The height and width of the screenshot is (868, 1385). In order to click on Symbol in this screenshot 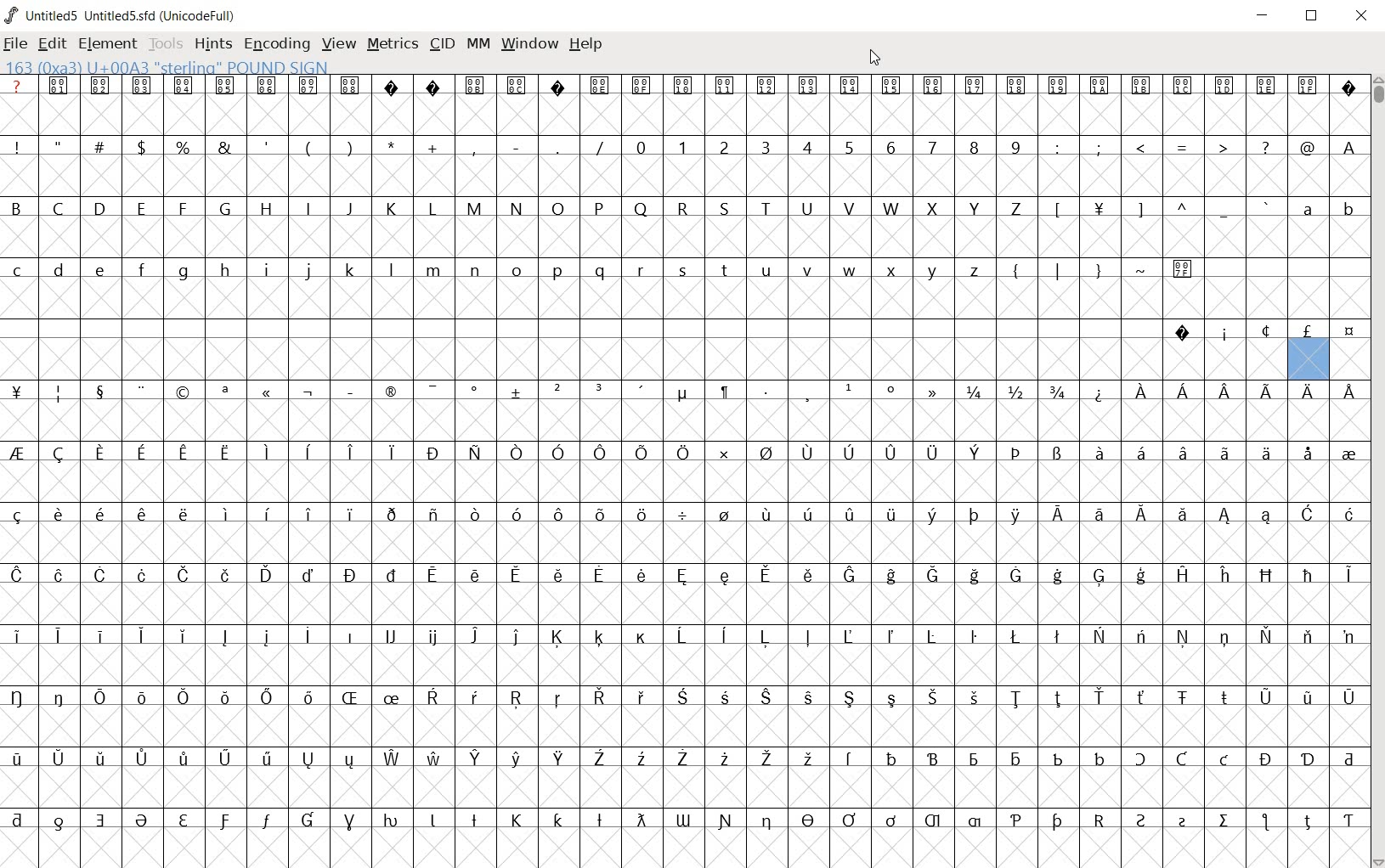, I will do `click(1183, 395)`.